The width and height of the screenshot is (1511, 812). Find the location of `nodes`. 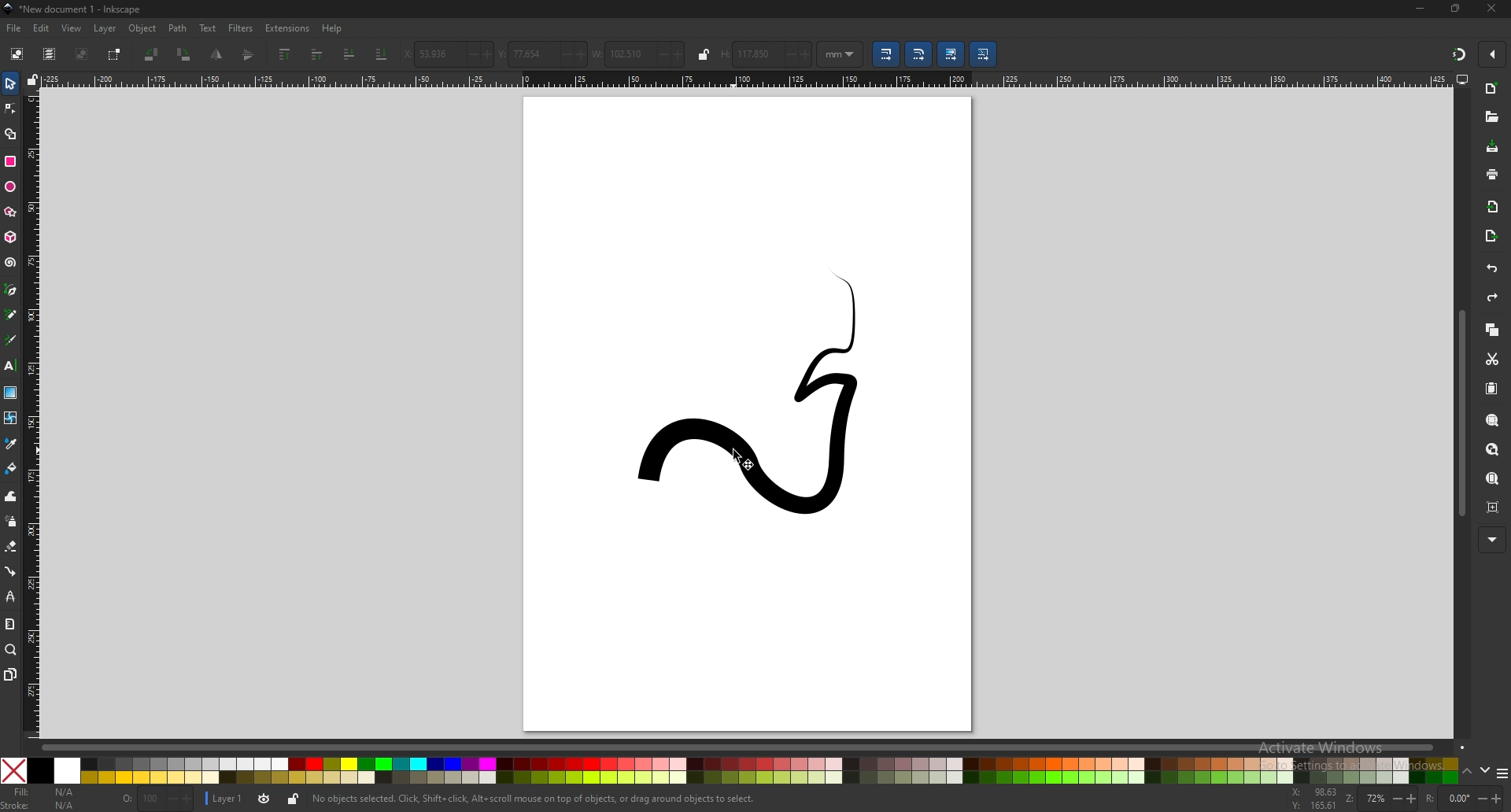

nodes is located at coordinates (11, 108).